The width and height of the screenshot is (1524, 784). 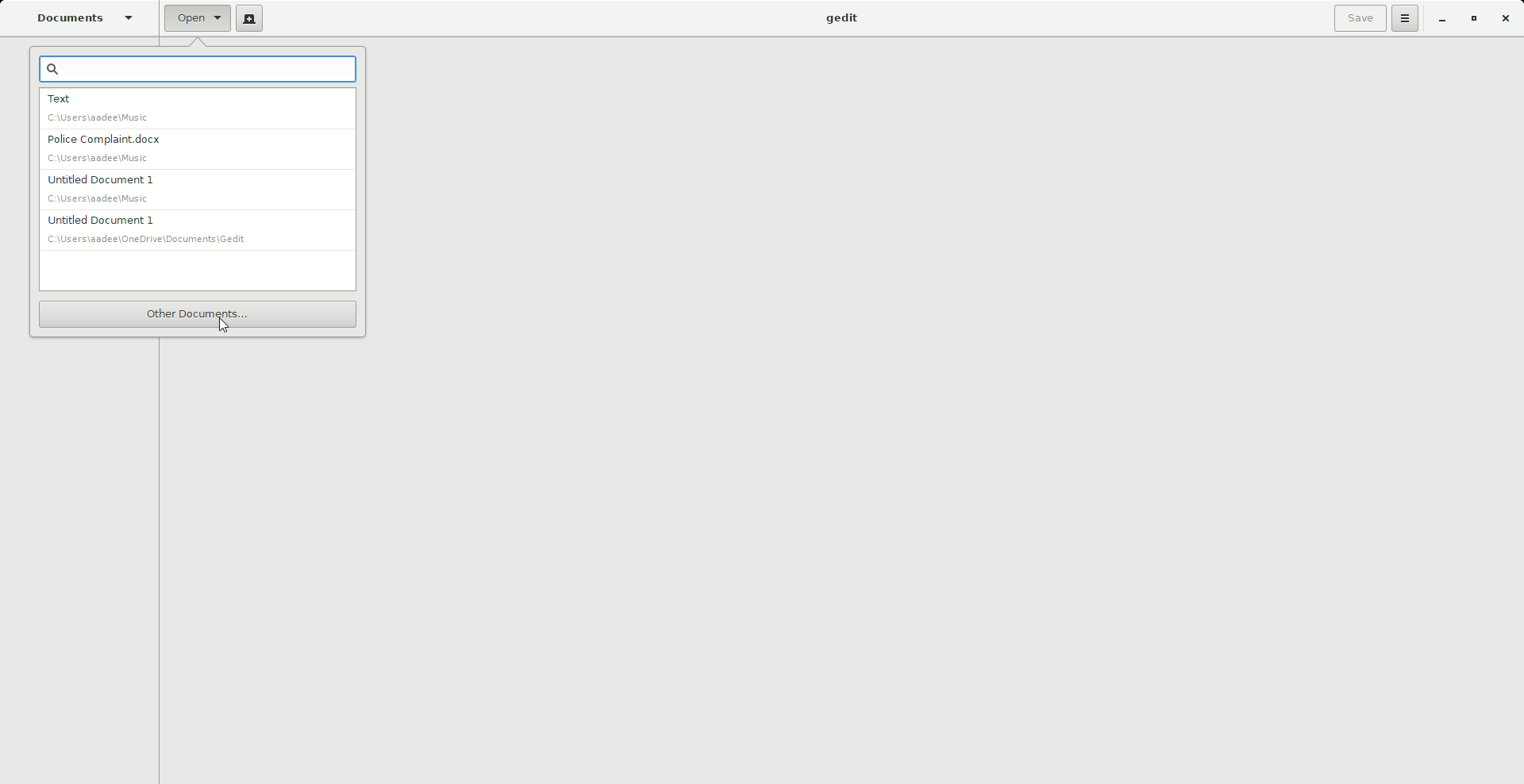 What do you see at coordinates (196, 192) in the screenshot?
I see `Untitled document 1` at bounding box center [196, 192].